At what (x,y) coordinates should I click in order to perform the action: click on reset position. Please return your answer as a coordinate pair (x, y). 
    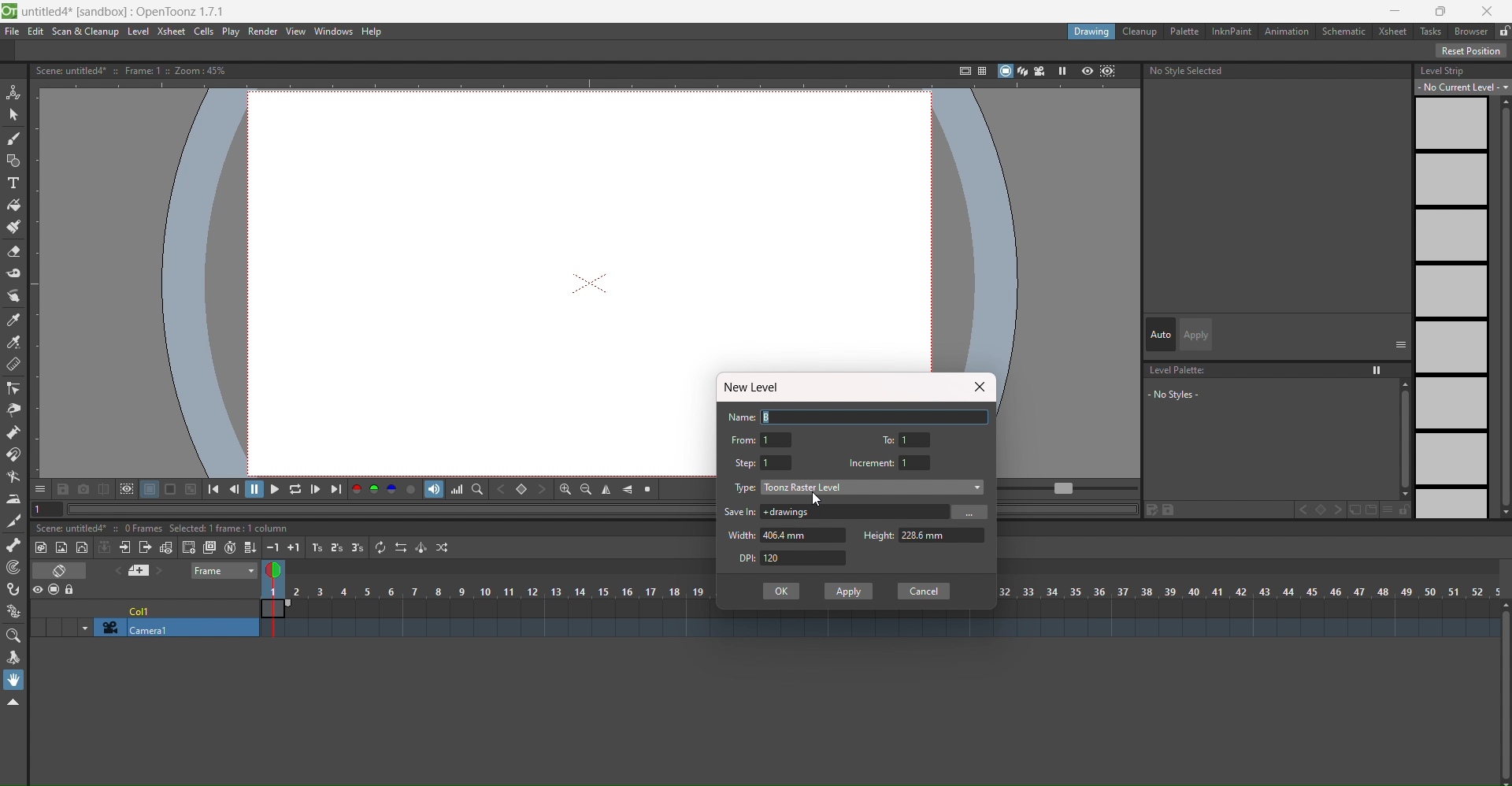
    Looking at the image, I should click on (1472, 50).